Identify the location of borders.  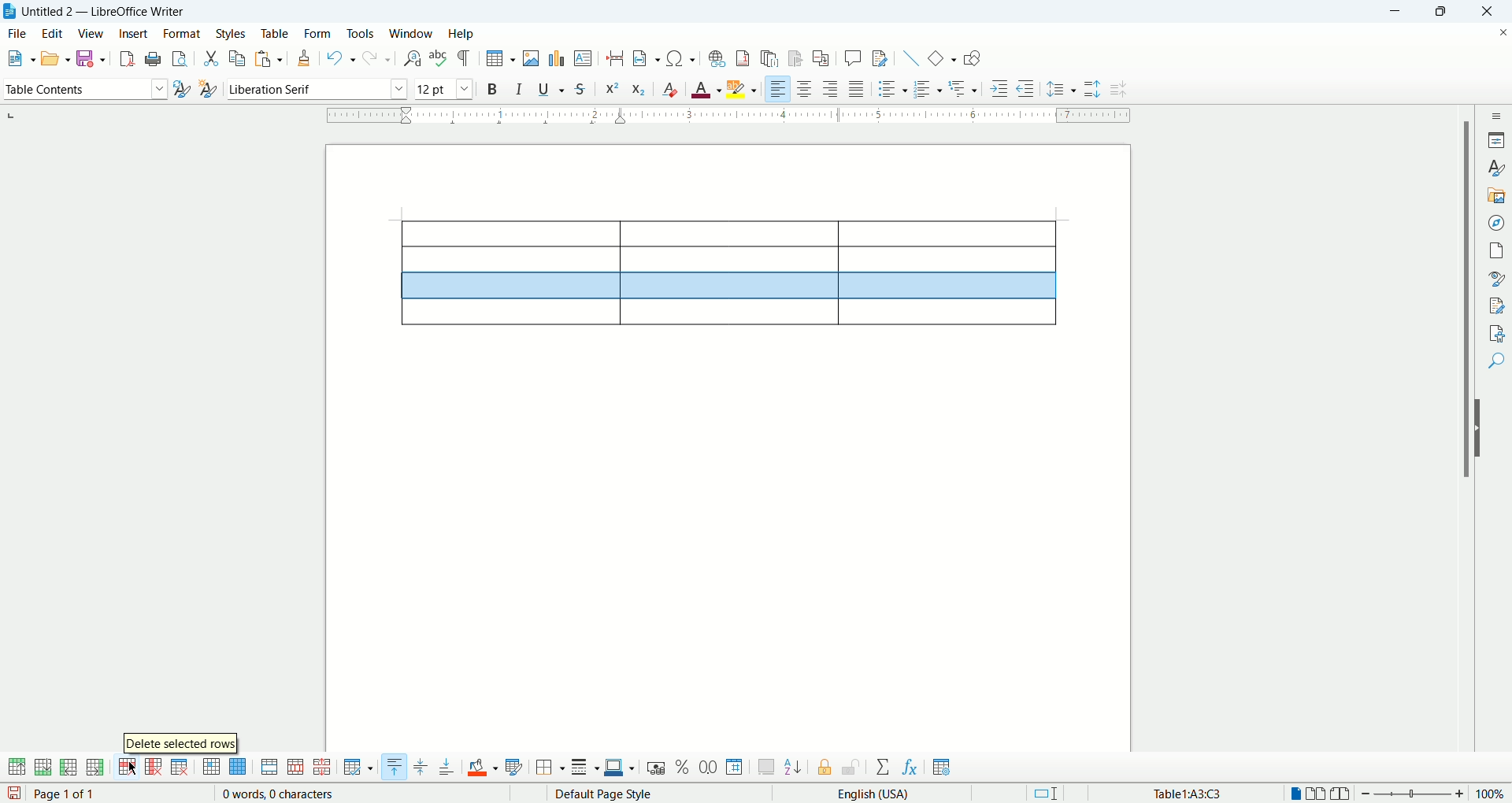
(550, 768).